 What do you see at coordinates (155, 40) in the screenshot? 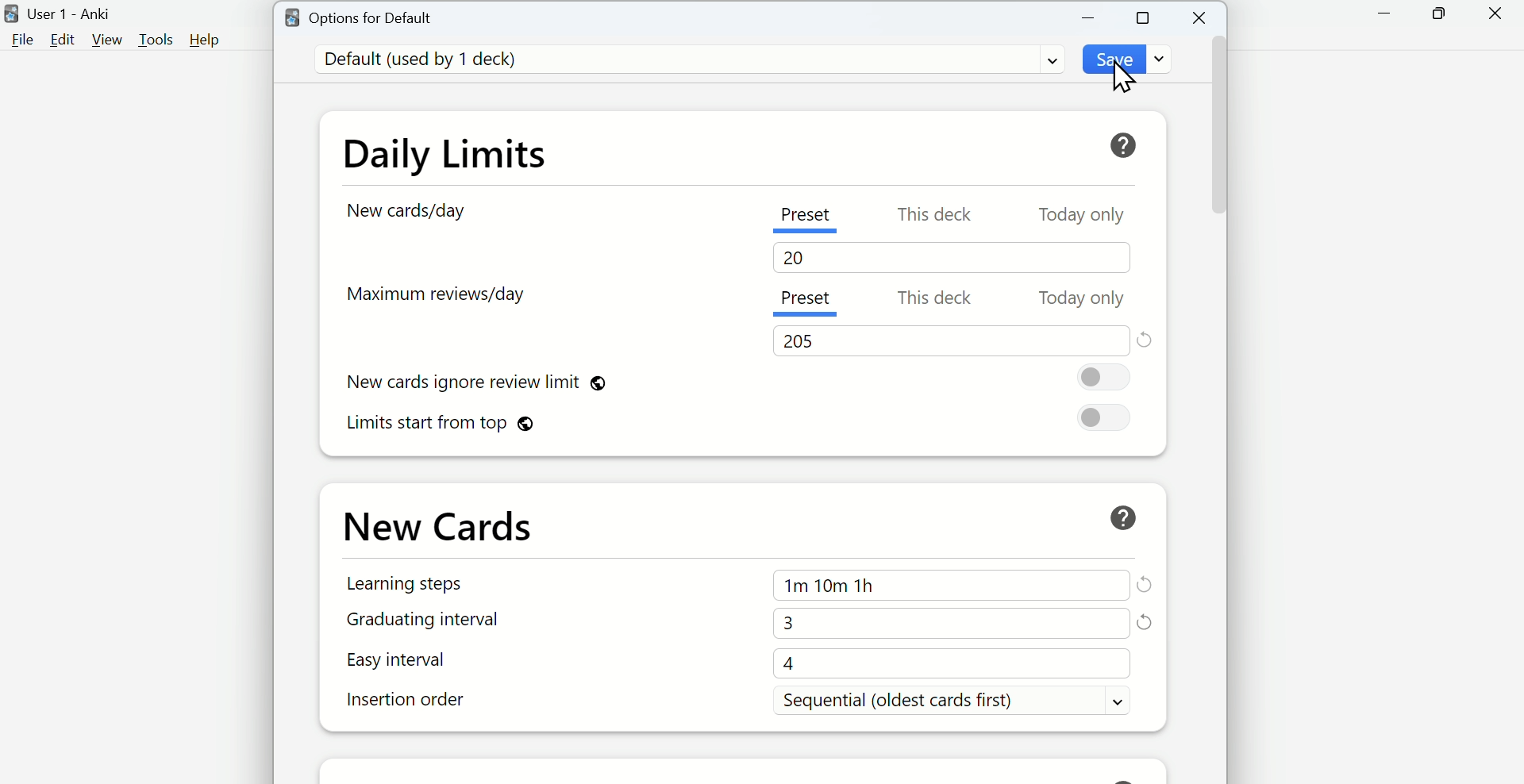
I see `Tools` at bounding box center [155, 40].